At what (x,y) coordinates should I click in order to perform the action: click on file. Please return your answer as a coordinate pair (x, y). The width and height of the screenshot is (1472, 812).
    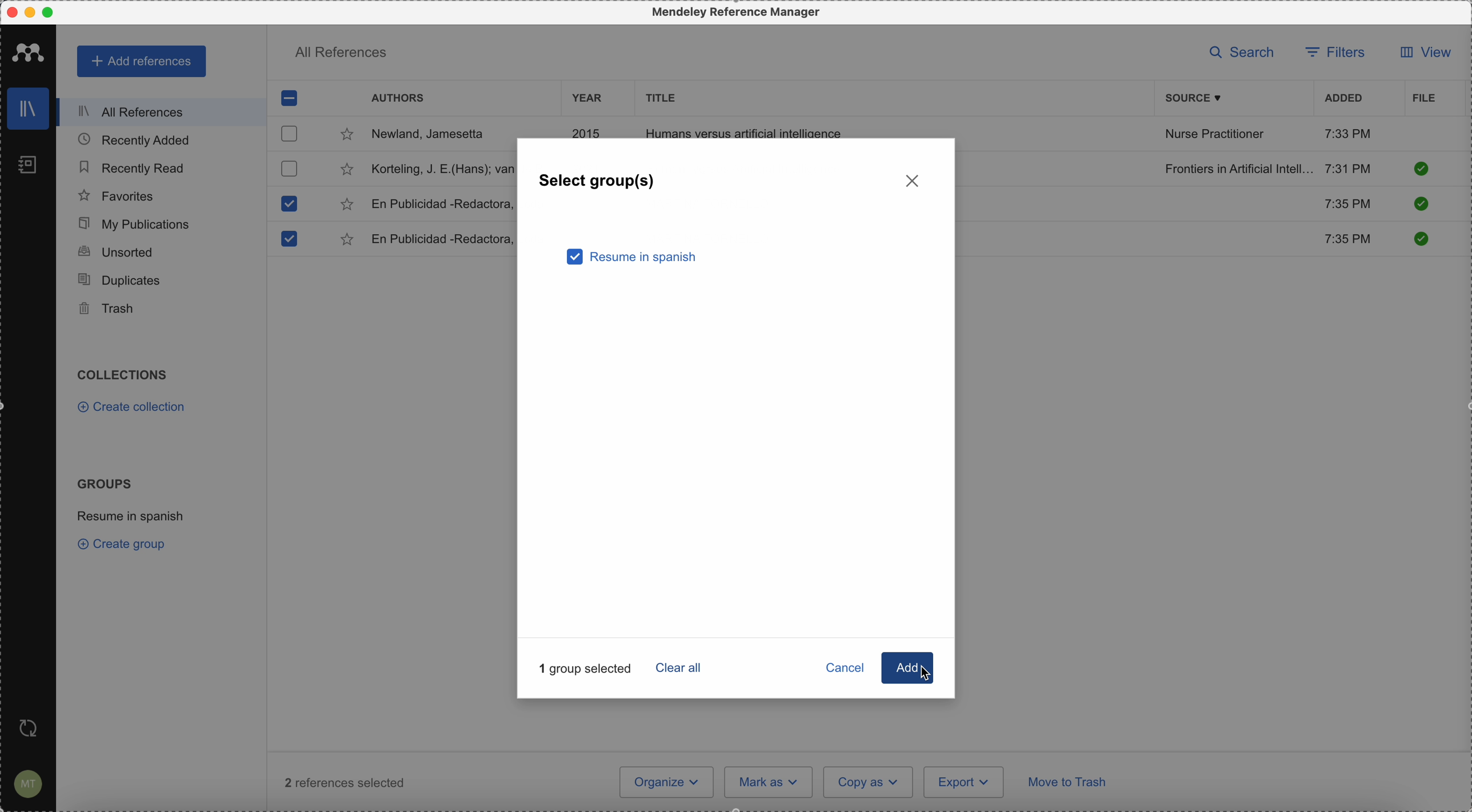
    Looking at the image, I should click on (1424, 99).